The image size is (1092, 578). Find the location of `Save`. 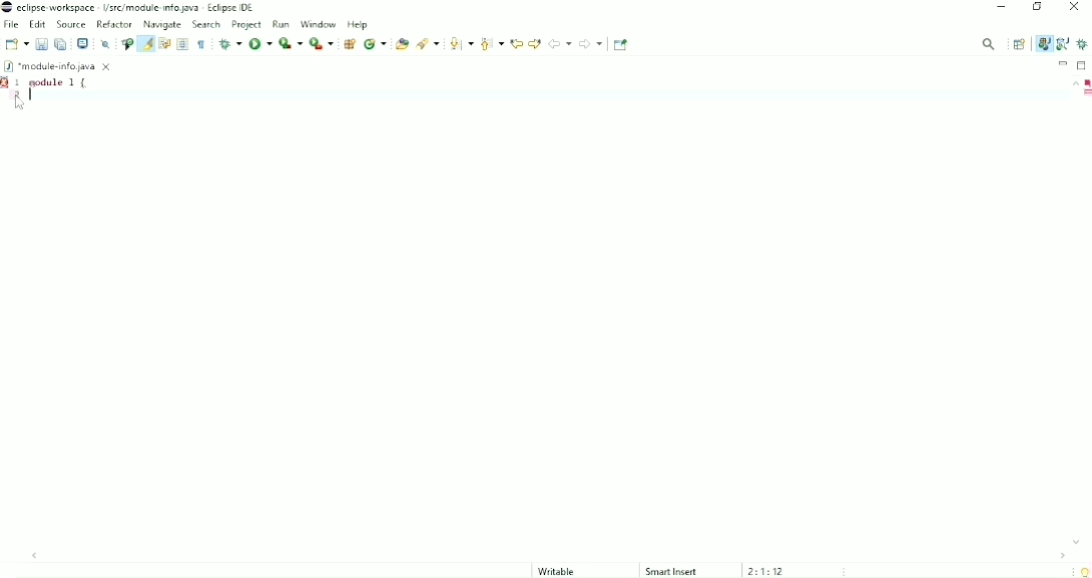

Save is located at coordinates (41, 44).